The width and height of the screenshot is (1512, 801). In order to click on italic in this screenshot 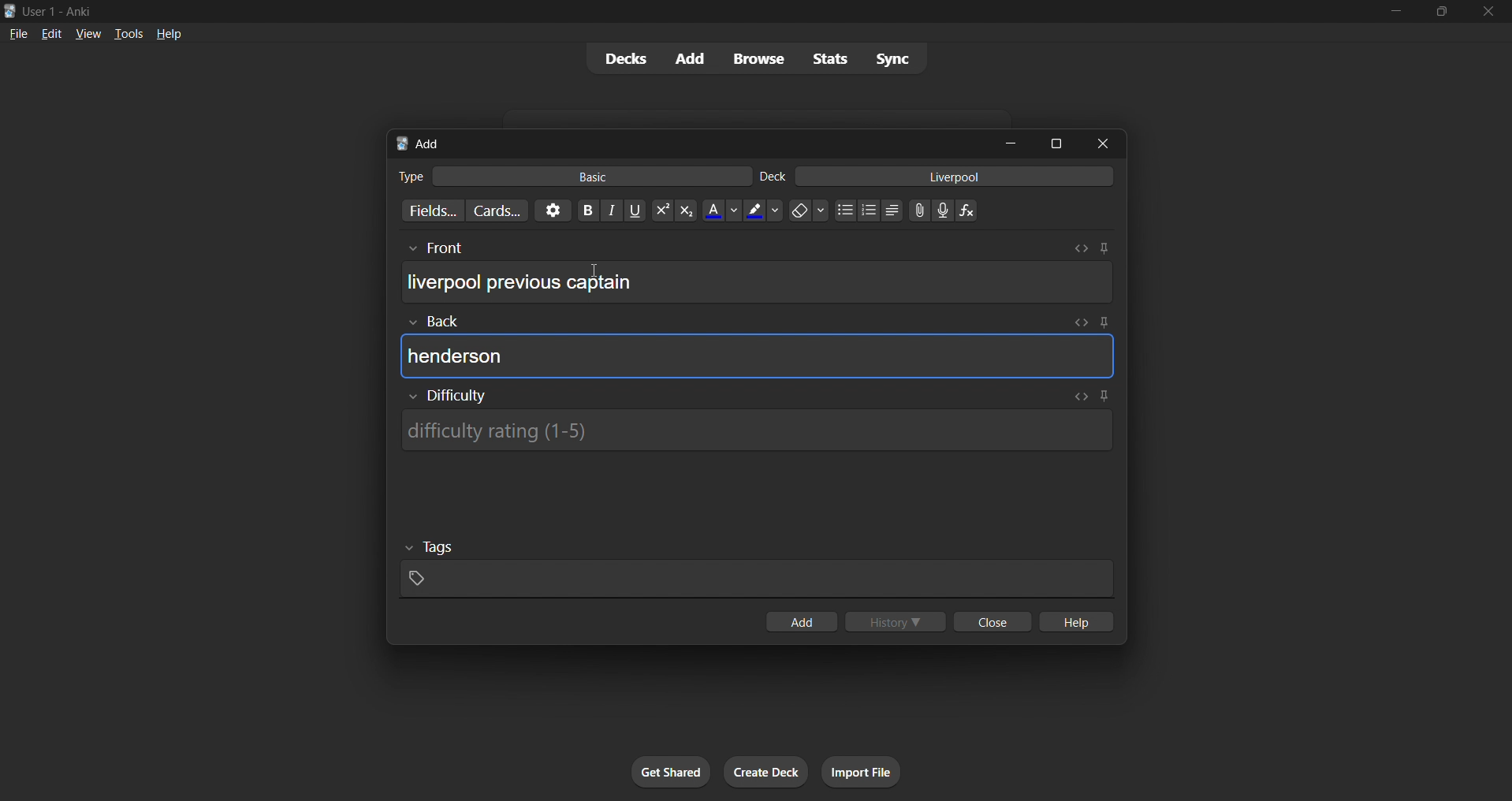, I will do `click(613, 212)`.